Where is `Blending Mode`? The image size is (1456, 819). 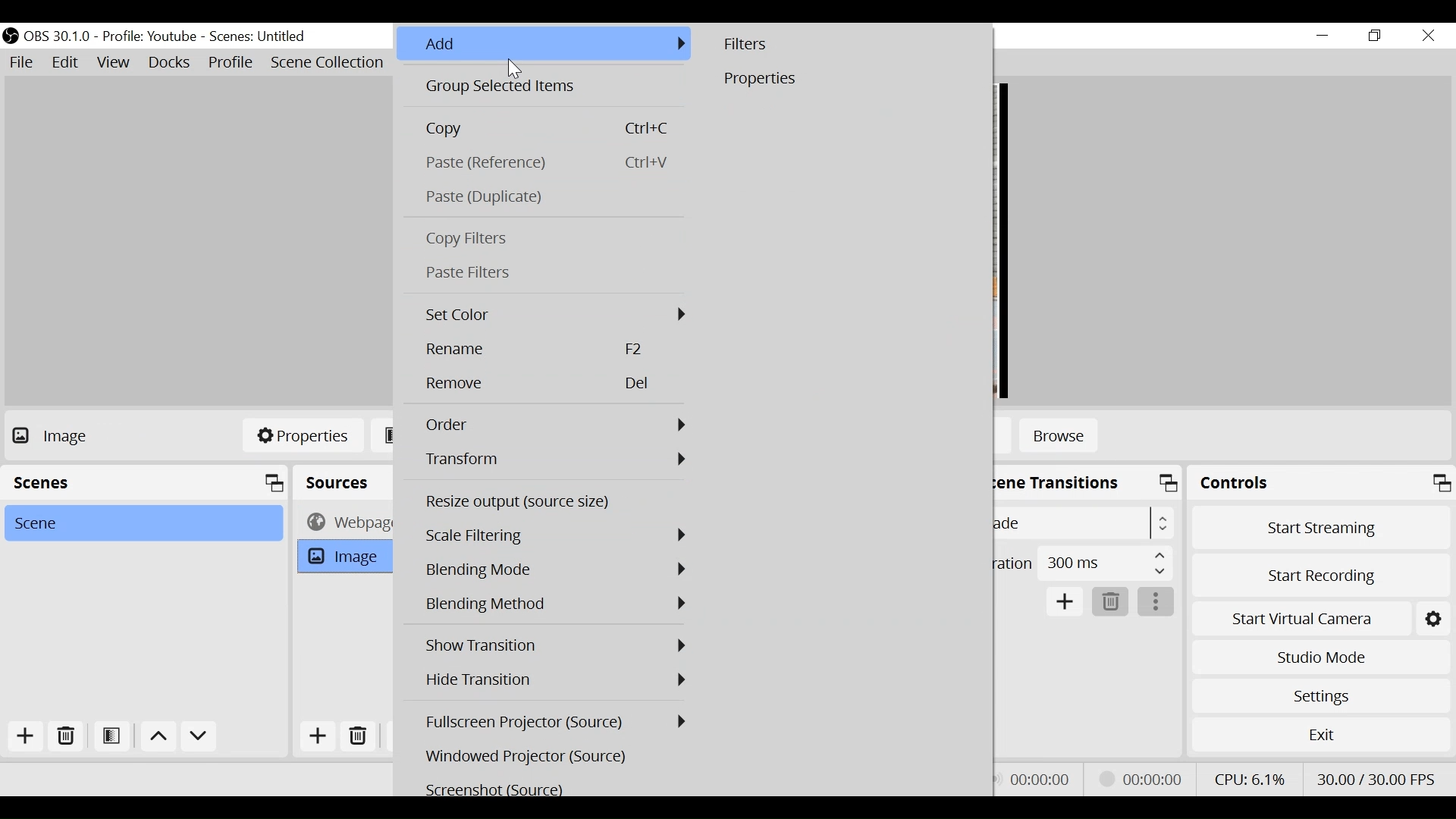 Blending Mode is located at coordinates (556, 571).